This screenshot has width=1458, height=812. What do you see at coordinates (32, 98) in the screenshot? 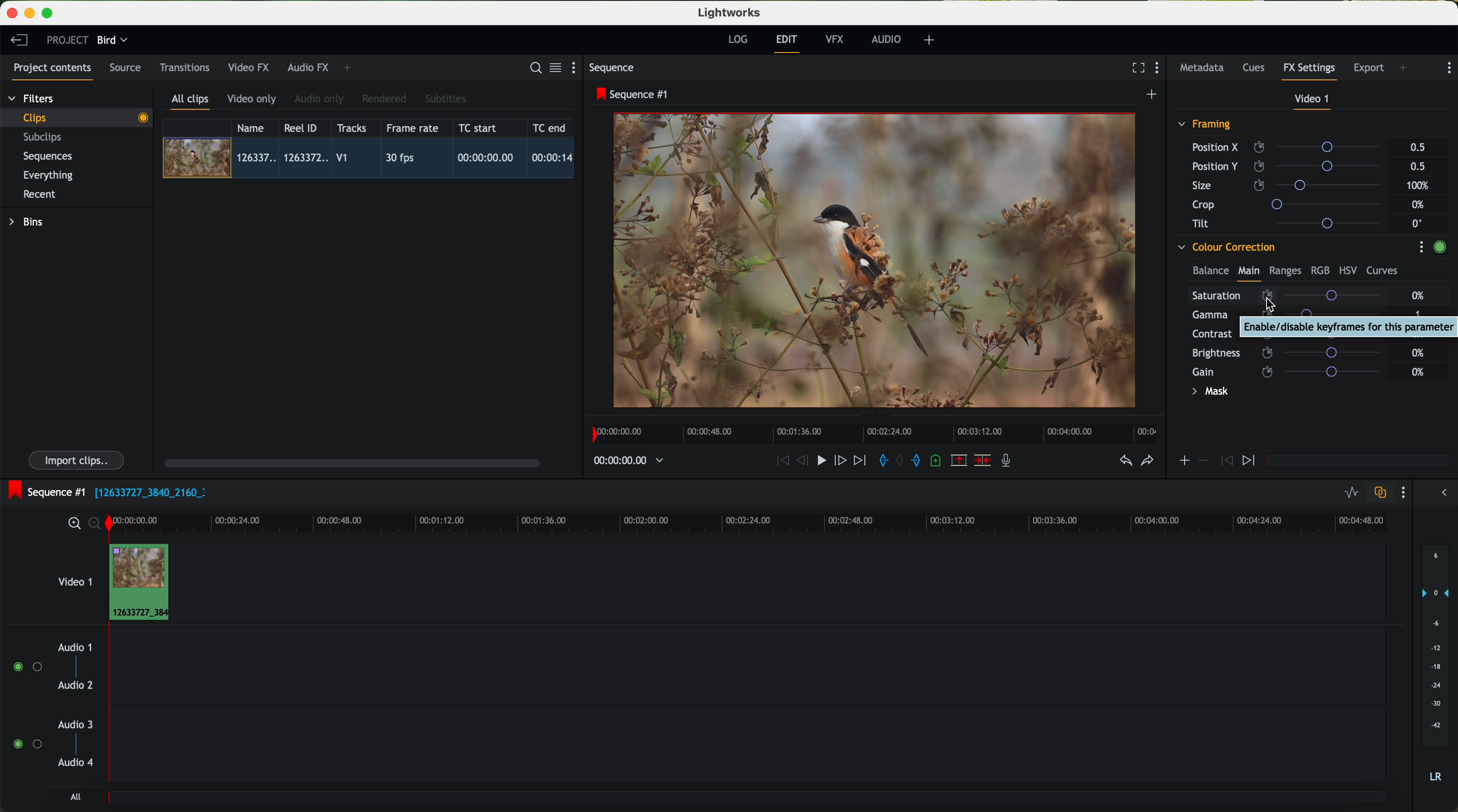
I see `filters` at bounding box center [32, 98].